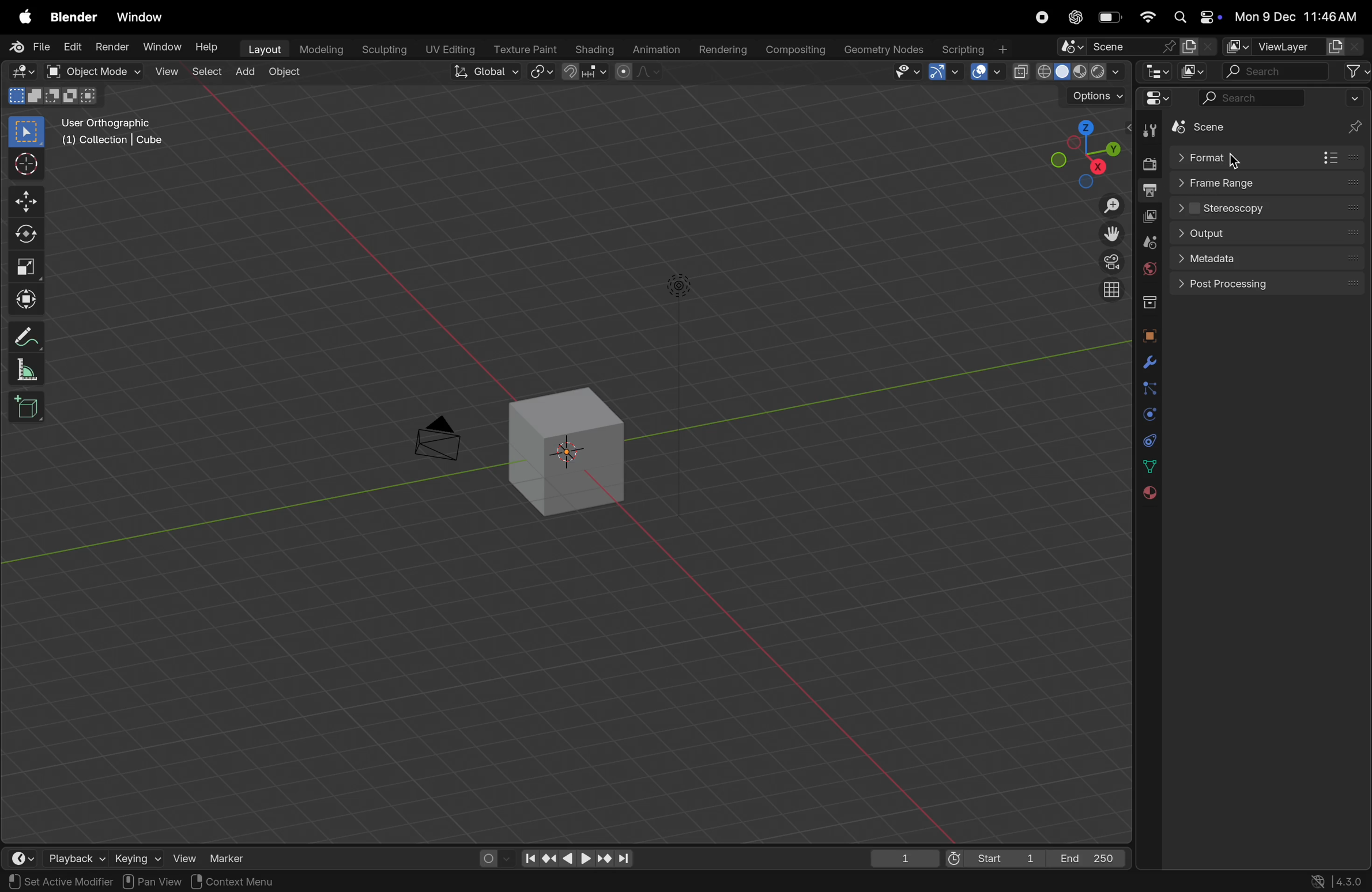 The height and width of the screenshot is (892, 1372). Describe the element at coordinates (206, 73) in the screenshot. I see `select` at that location.